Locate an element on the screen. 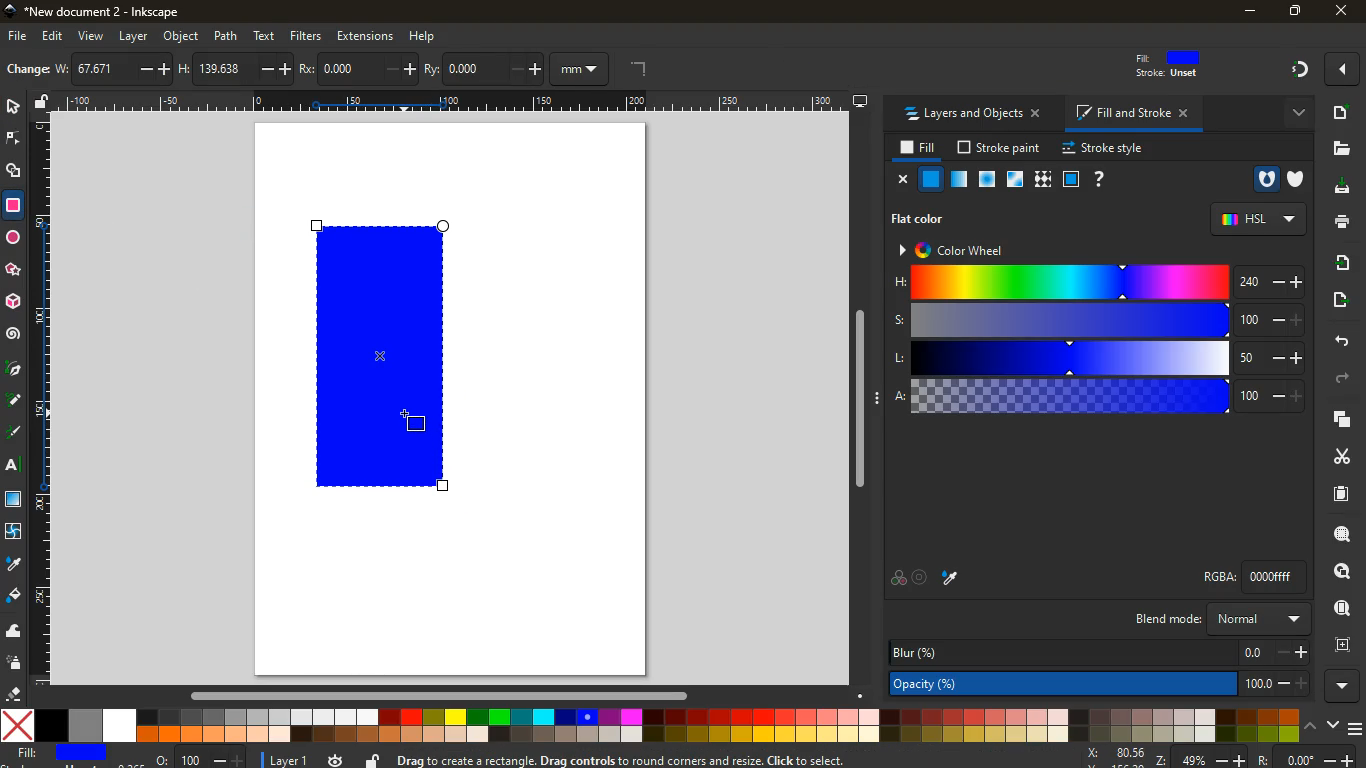   is located at coordinates (1292, 69).